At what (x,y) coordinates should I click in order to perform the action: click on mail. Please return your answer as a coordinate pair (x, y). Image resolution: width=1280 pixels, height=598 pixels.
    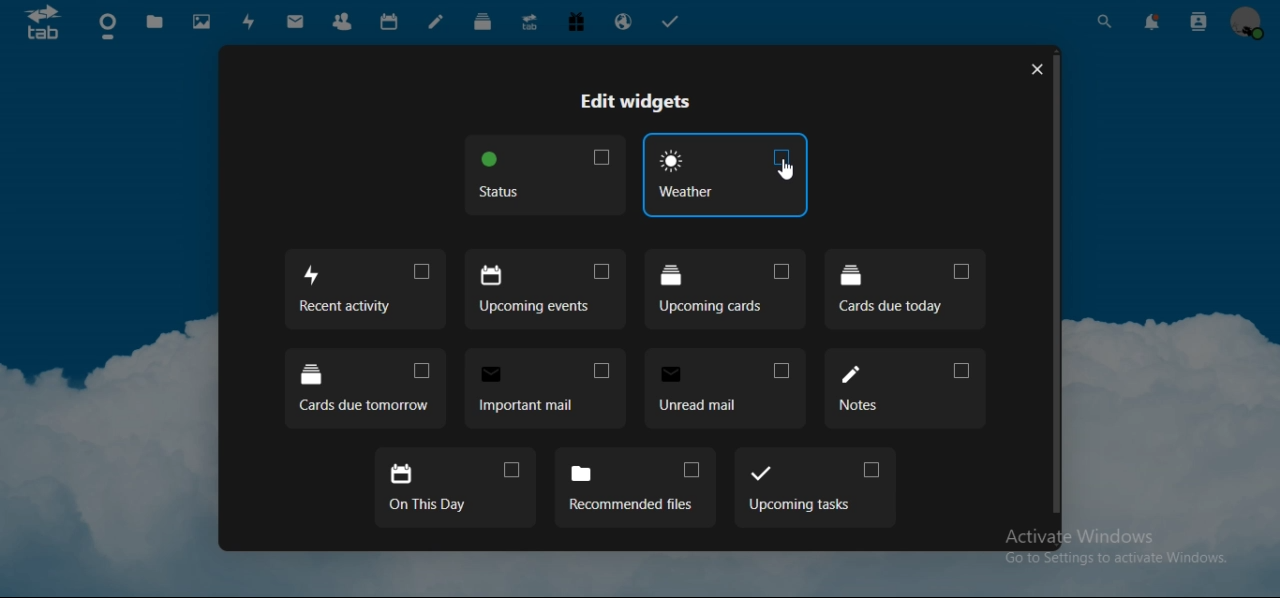
    Looking at the image, I should click on (296, 21).